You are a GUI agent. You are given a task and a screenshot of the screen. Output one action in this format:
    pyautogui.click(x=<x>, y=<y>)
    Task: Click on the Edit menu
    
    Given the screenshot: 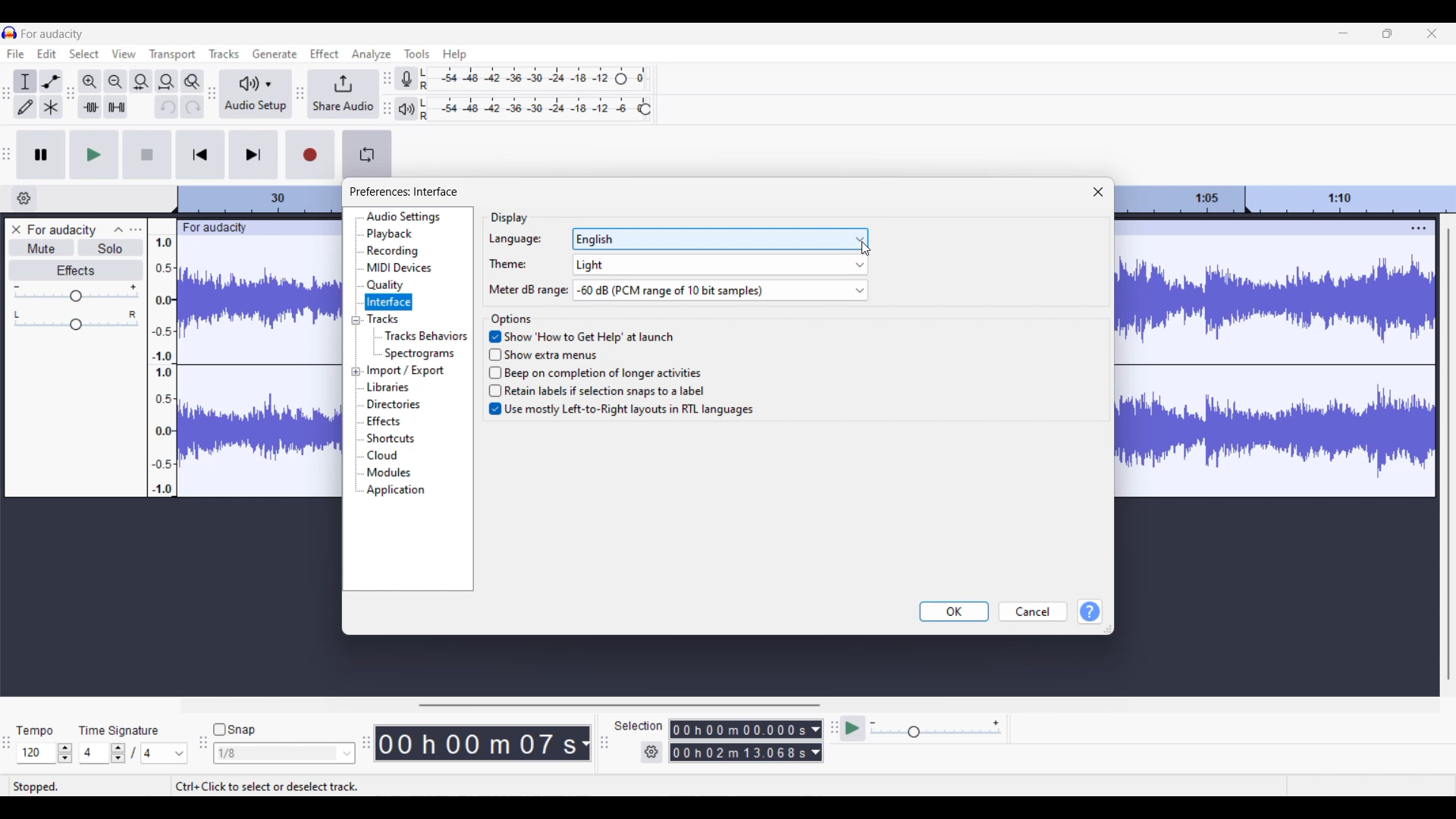 What is the action you would take?
    pyautogui.click(x=46, y=53)
    